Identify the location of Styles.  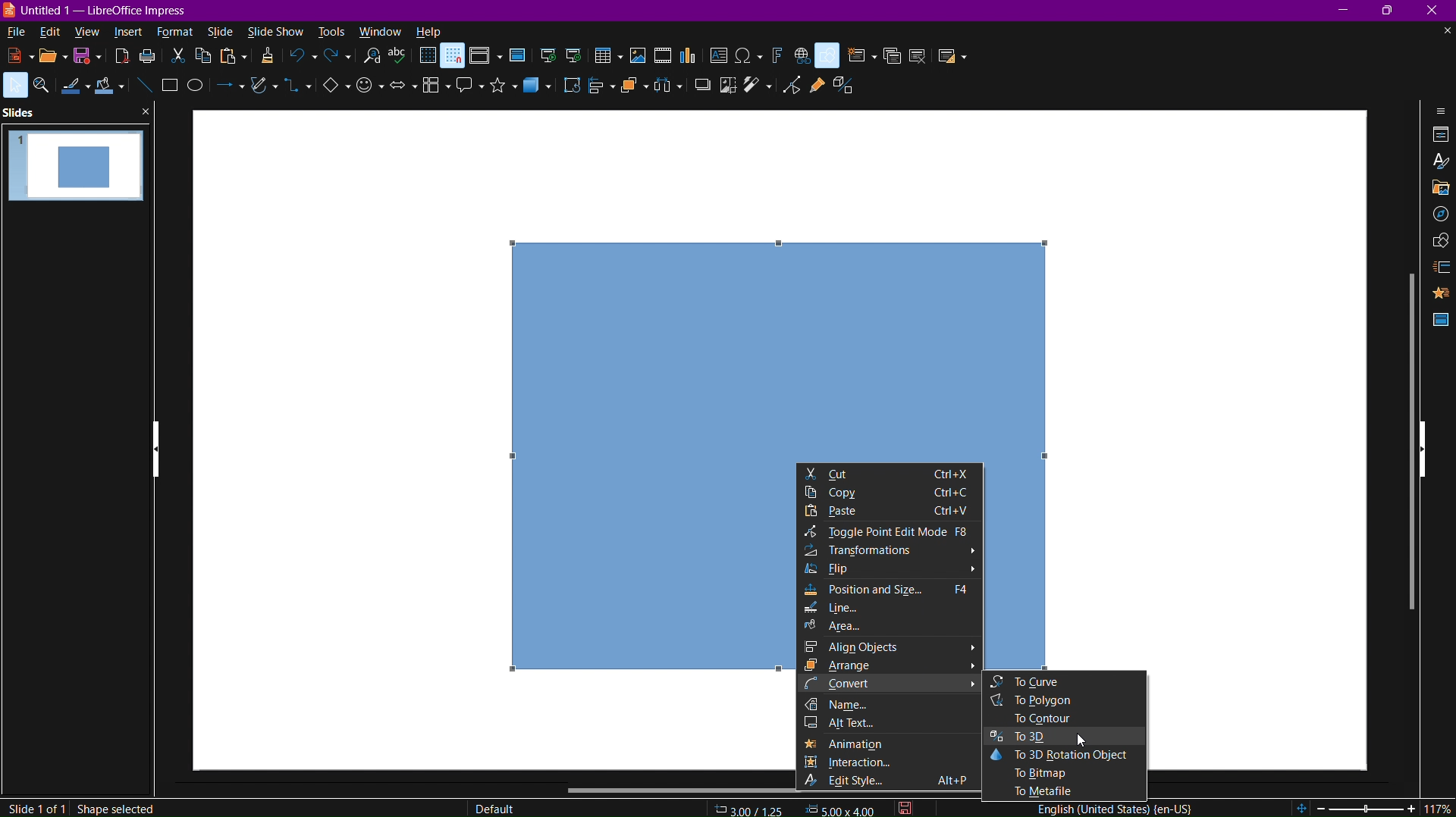
(1438, 162).